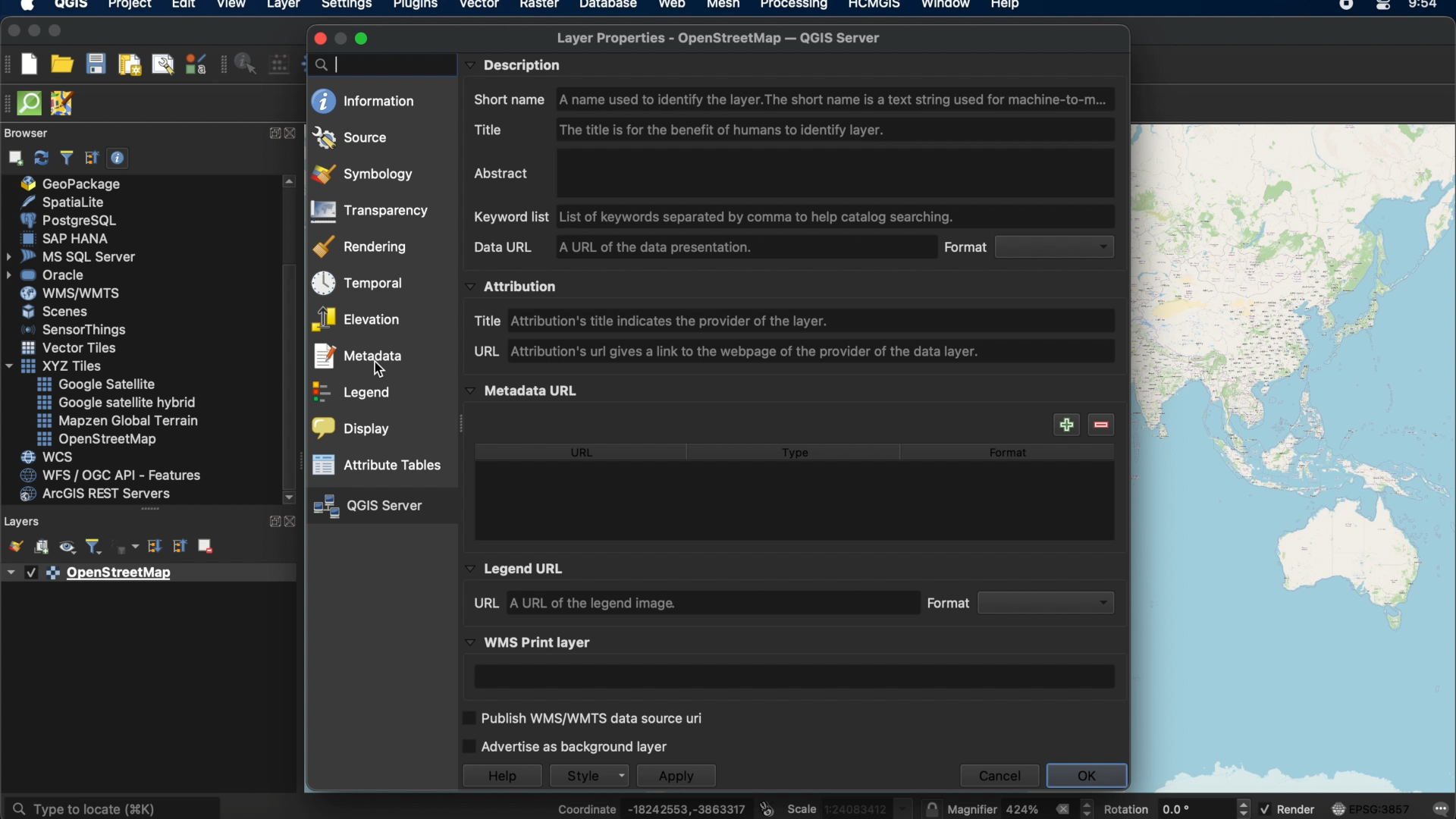 Image resolution: width=1456 pixels, height=819 pixels. What do you see at coordinates (874, 6) in the screenshot?
I see `HCMGIS` at bounding box center [874, 6].